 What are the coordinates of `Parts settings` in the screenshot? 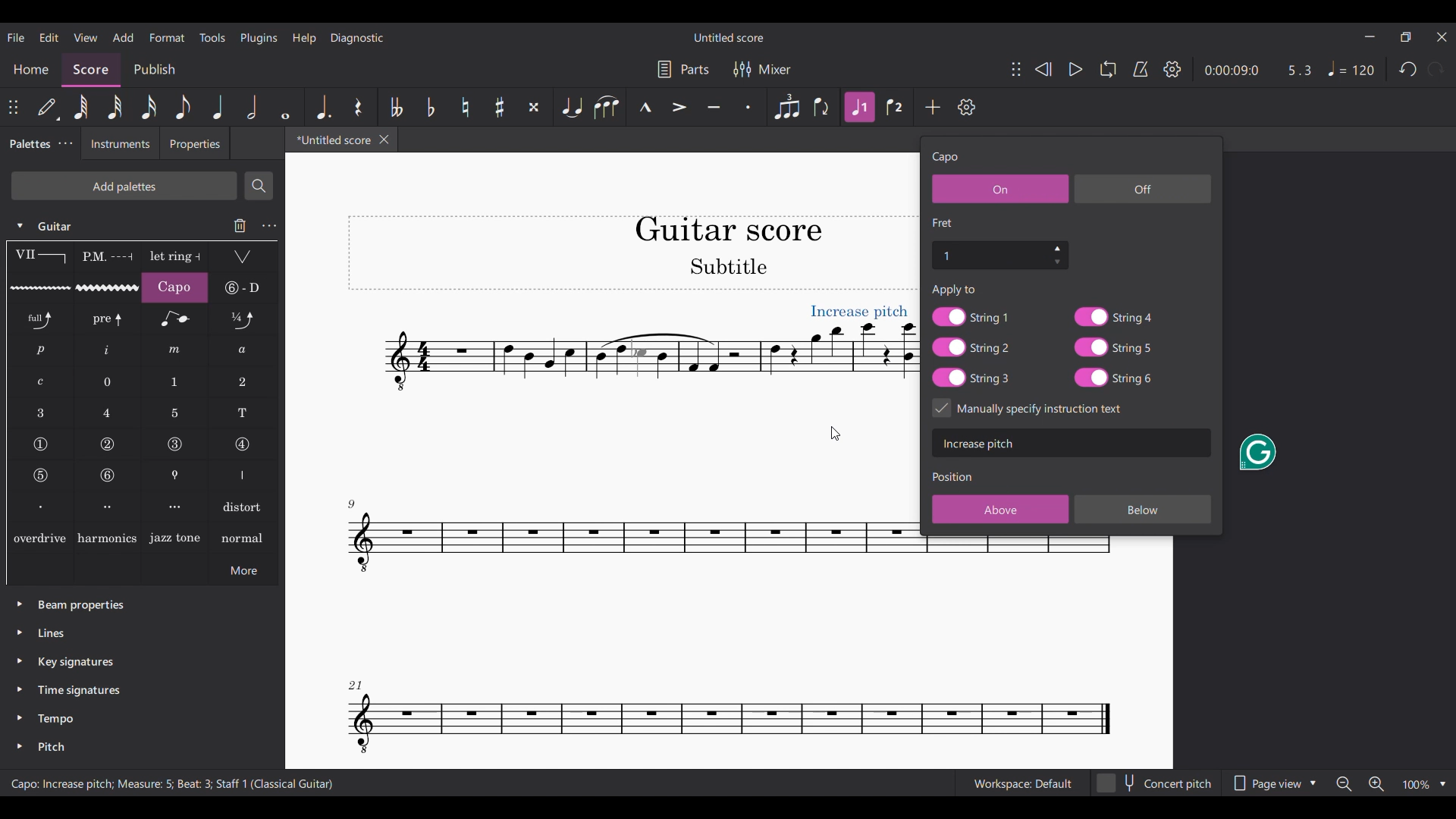 It's located at (683, 69).